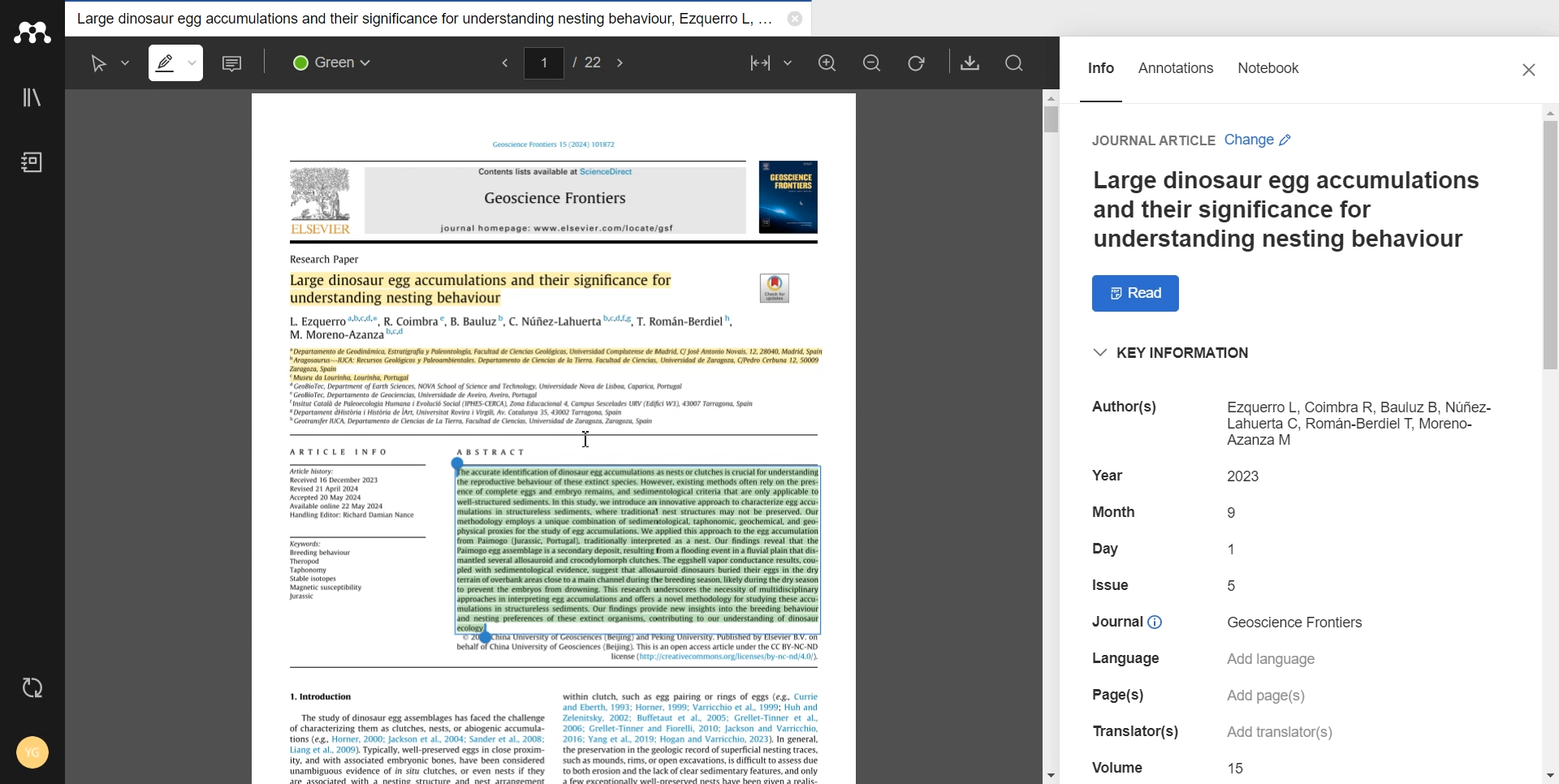 The width and height of the screenshot is (1559, 784). Describe the element at coordinates (873, 62) in the screenshot. I see `Zoom out` at that location.